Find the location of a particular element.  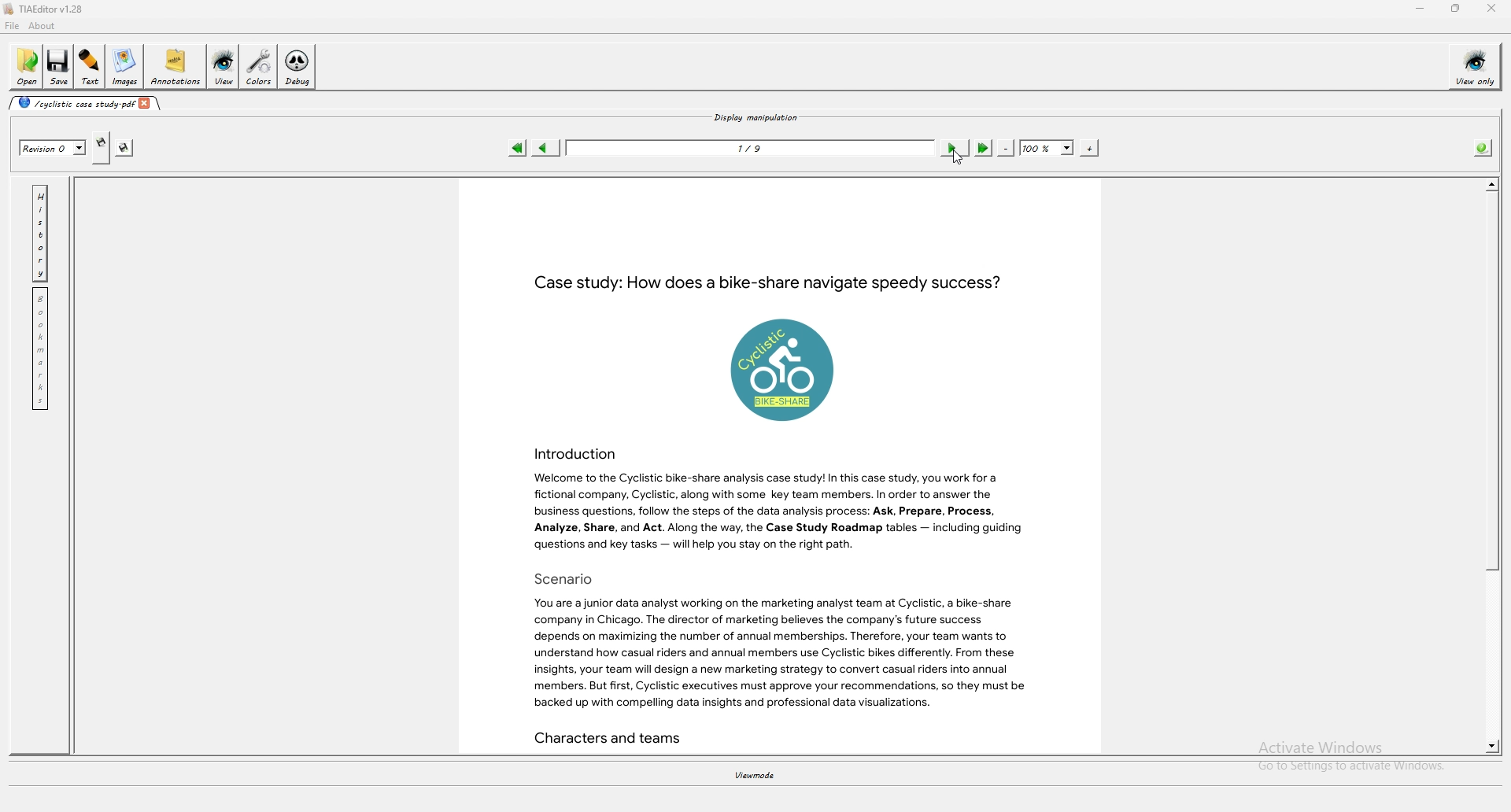

bookmark is located at coordinates (42, 349).